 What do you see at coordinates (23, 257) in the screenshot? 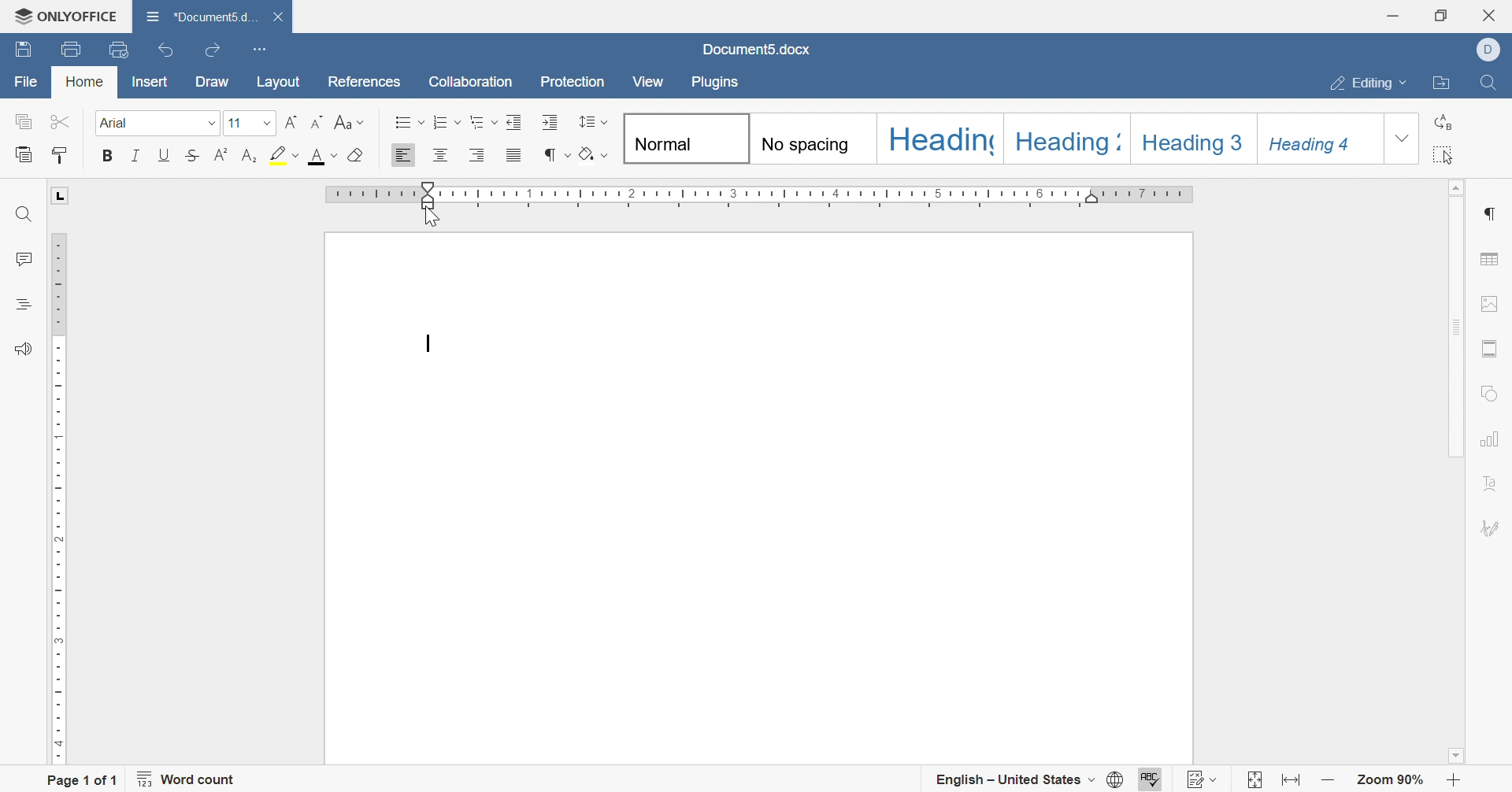
I see `comments` at bounding box center [23, 257].